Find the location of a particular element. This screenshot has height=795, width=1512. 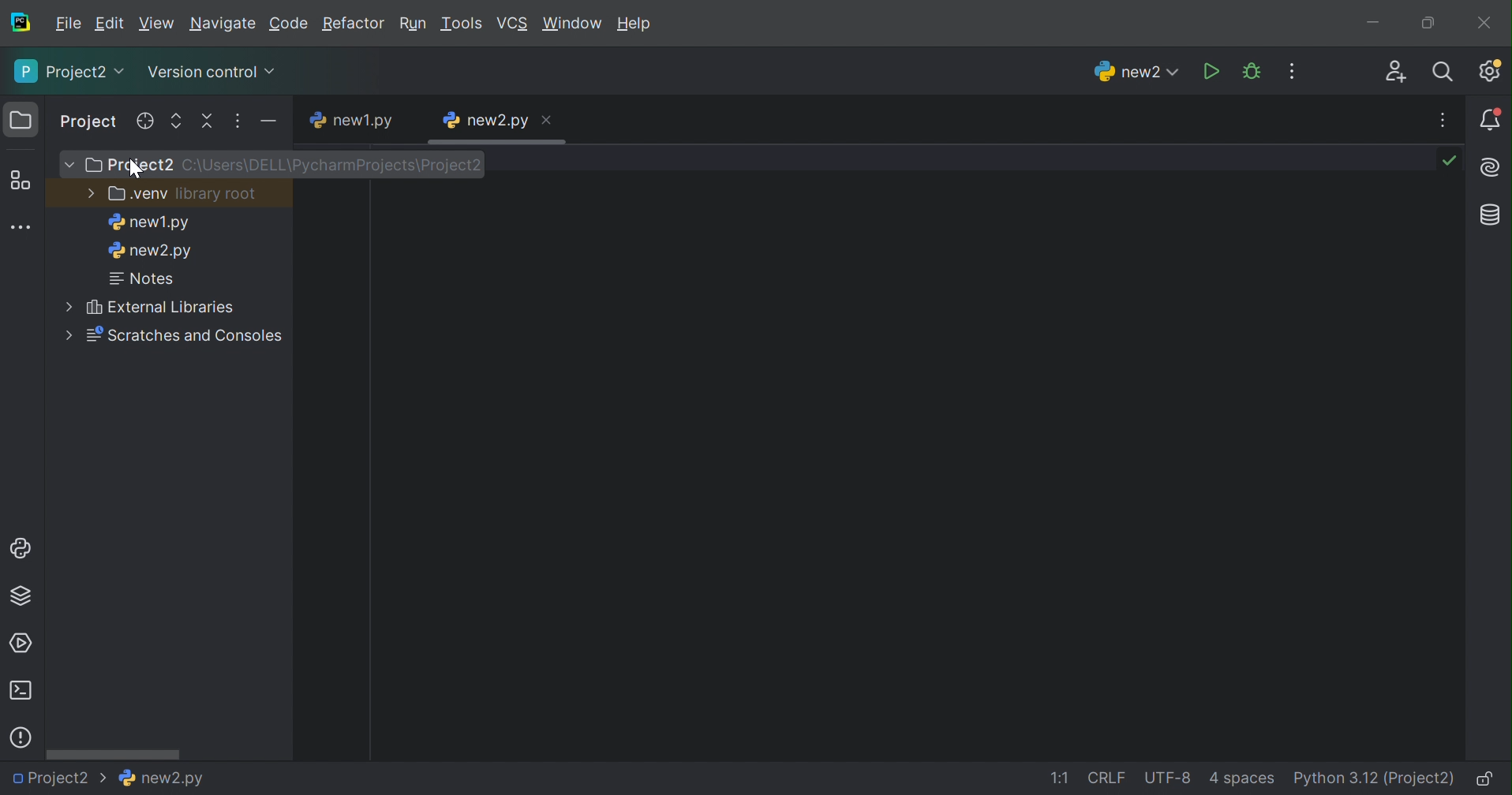

Run is located at coordinates (414, 21).